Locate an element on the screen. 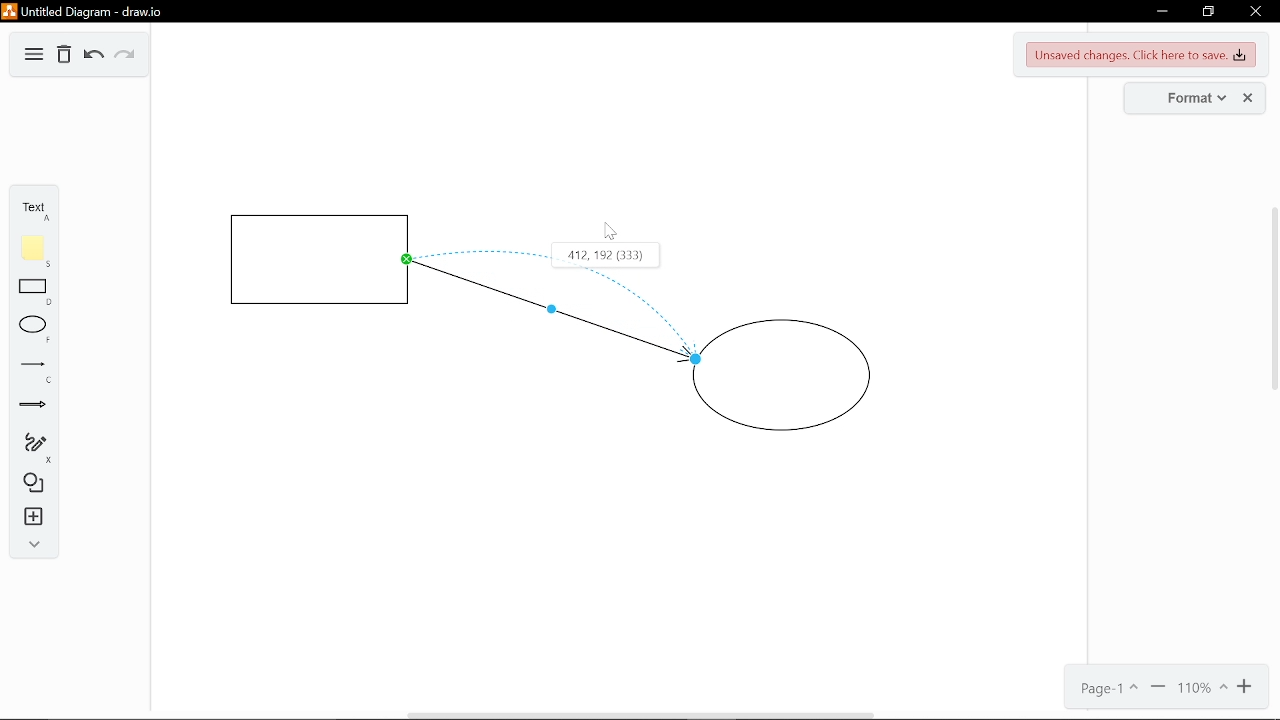 Image resolution: width=1280 pixels, height=720 pixels. Restore down is located at coordinates (1209, 11).